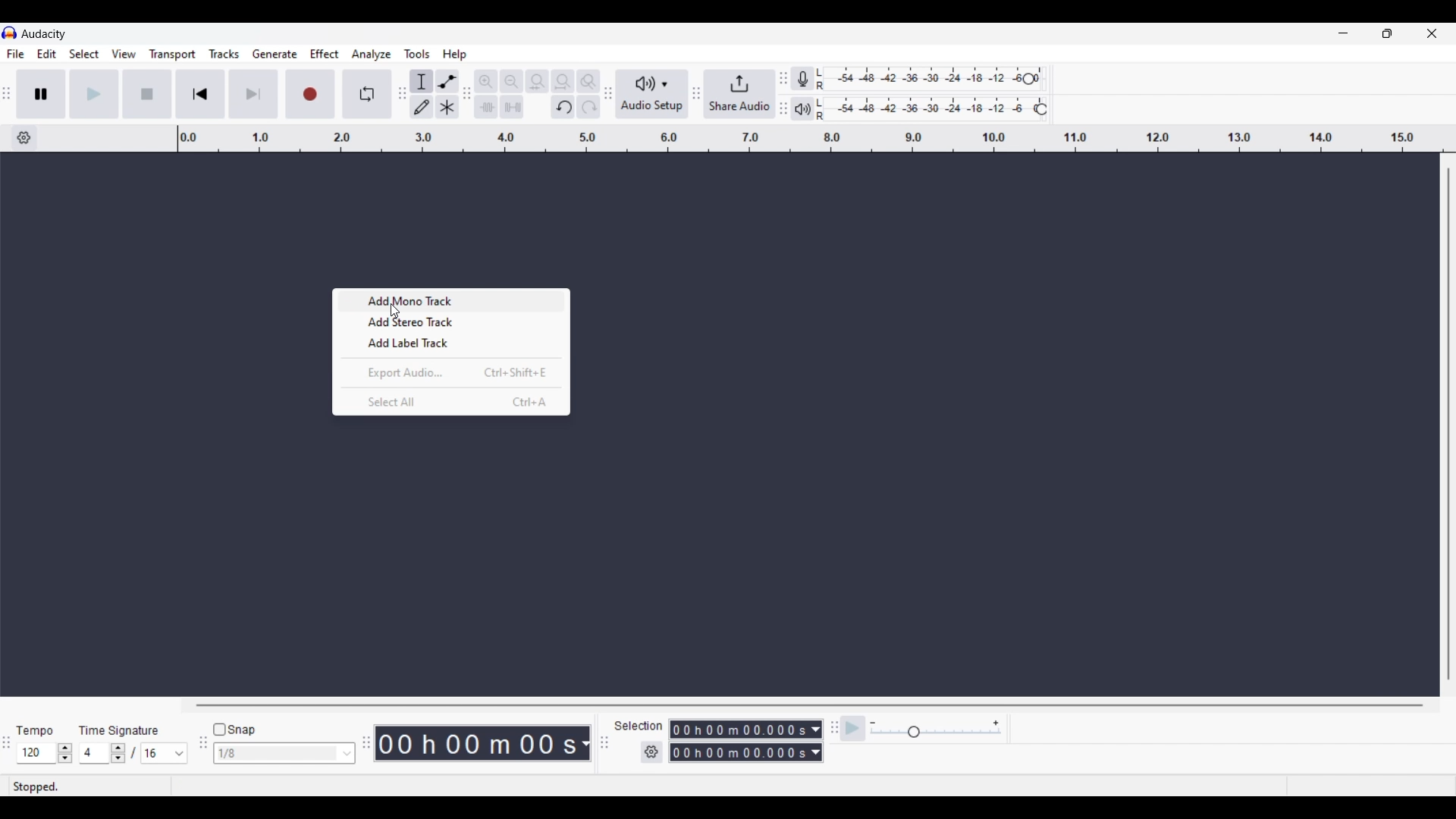 The image size is (1456, 819). I want to click on Shows recorded duration, so click(476, 743).